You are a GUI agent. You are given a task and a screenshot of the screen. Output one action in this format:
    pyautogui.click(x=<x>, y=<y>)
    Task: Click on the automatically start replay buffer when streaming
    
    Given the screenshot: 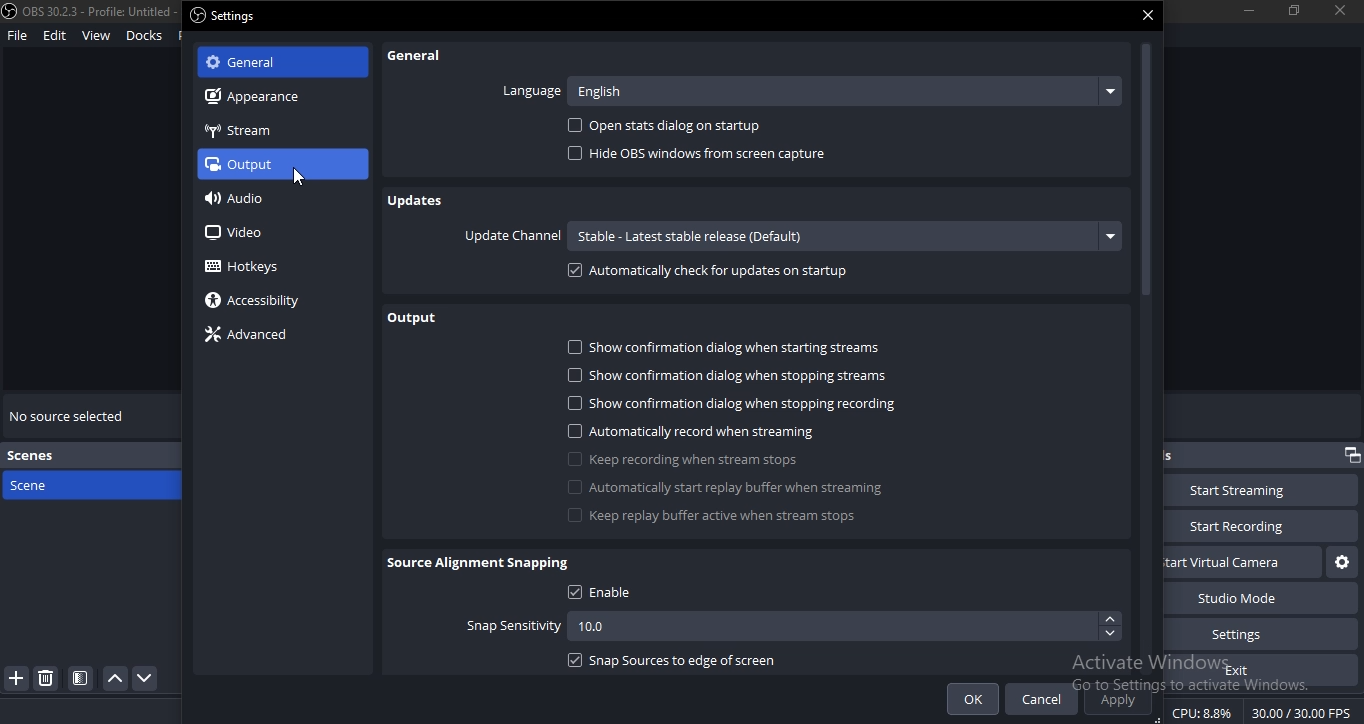 What is the action you would take?
    pyautogui.click(x=737, y=487)
    